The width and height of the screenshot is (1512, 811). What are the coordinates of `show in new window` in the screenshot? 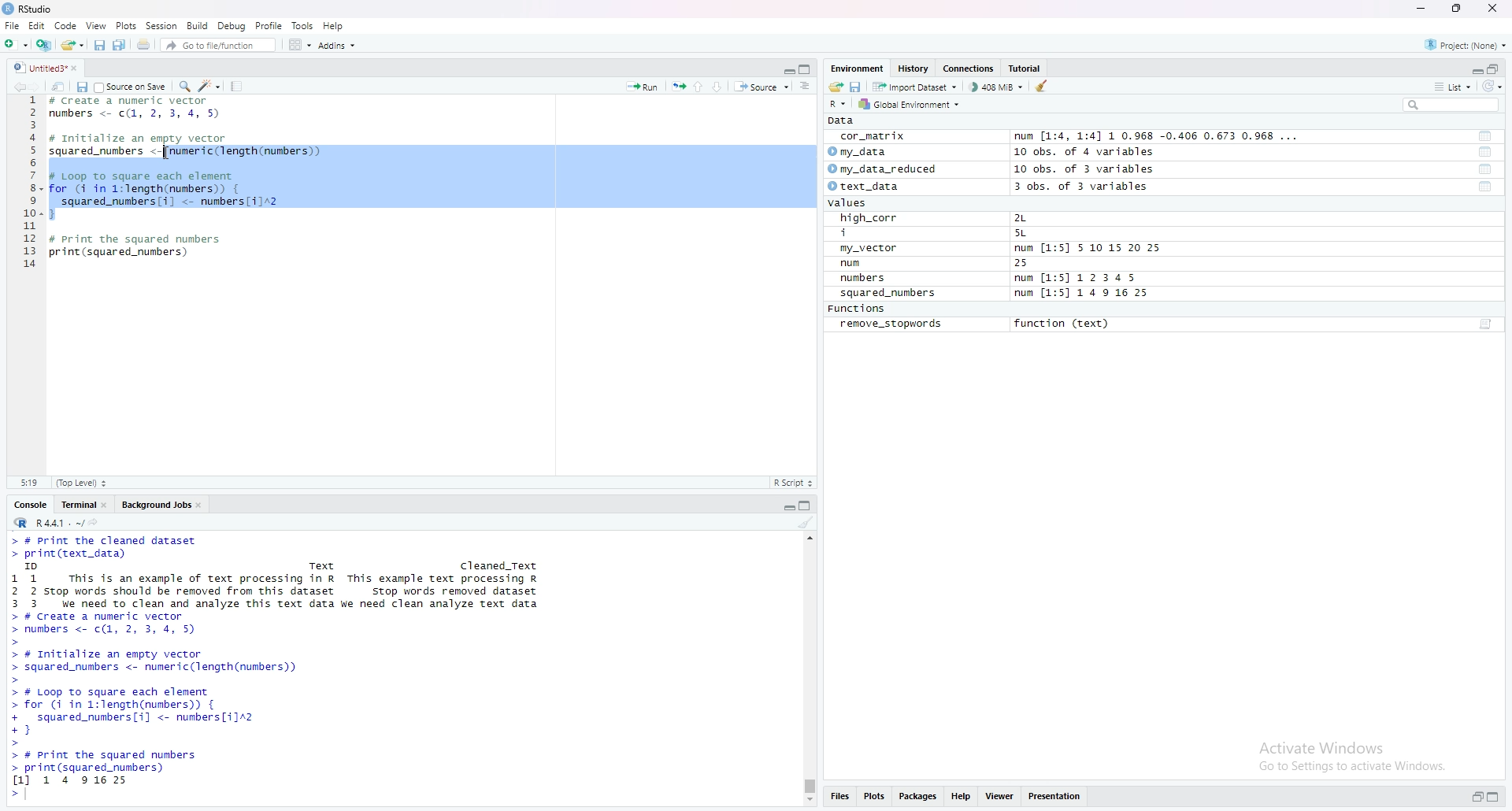 It's located at (58, 85).